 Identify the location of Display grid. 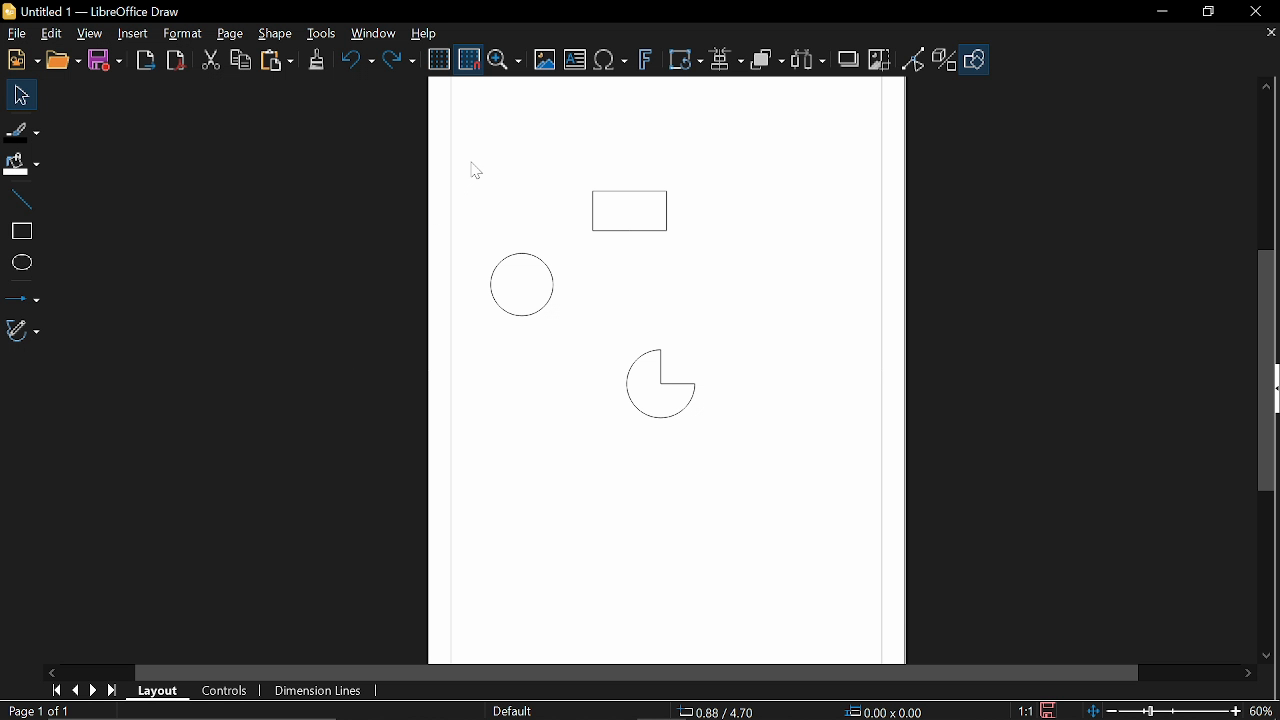
(438, 59).